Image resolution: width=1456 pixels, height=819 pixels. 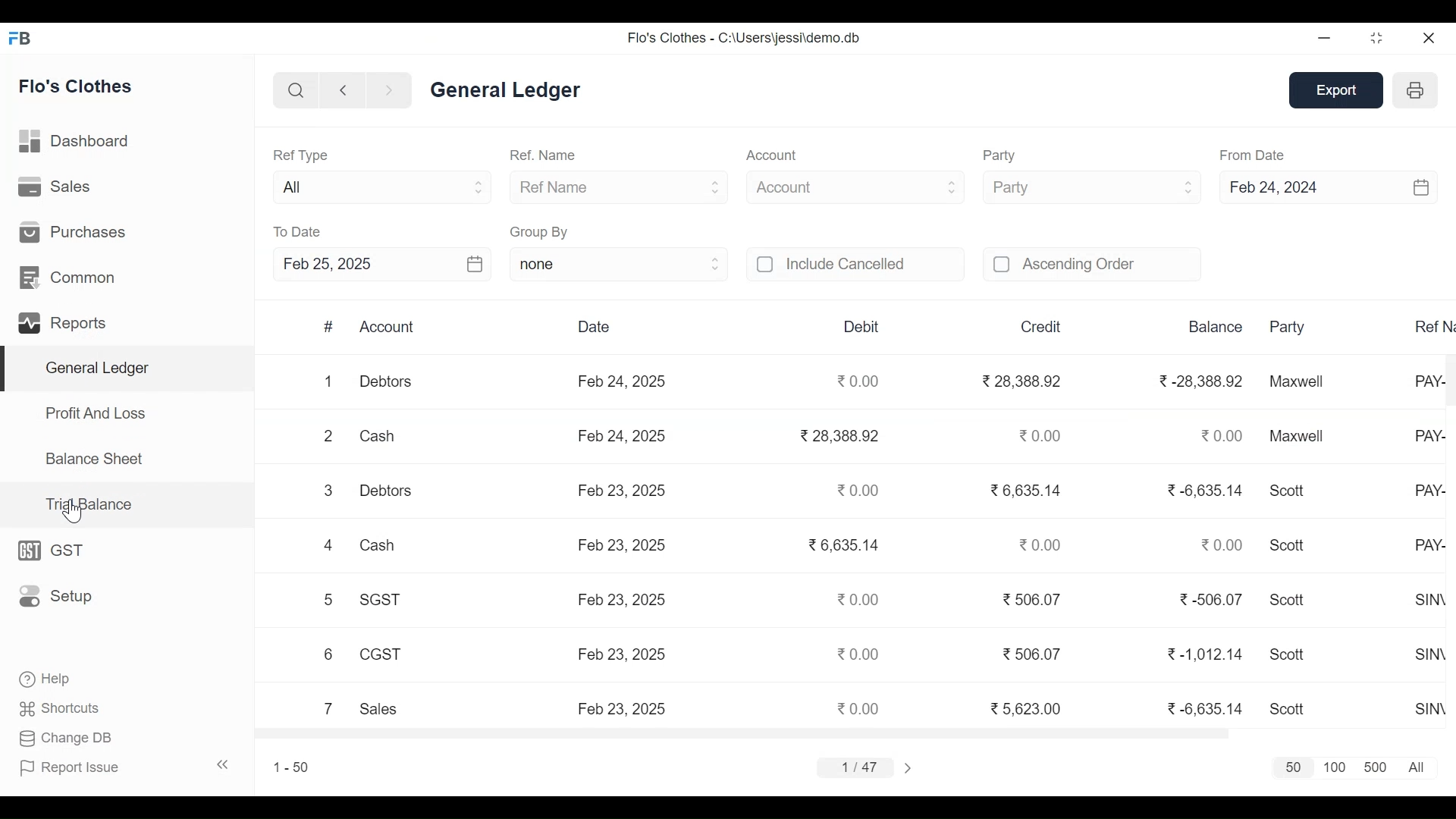 I want to click on 0.00, so click(x=1040, y=435).